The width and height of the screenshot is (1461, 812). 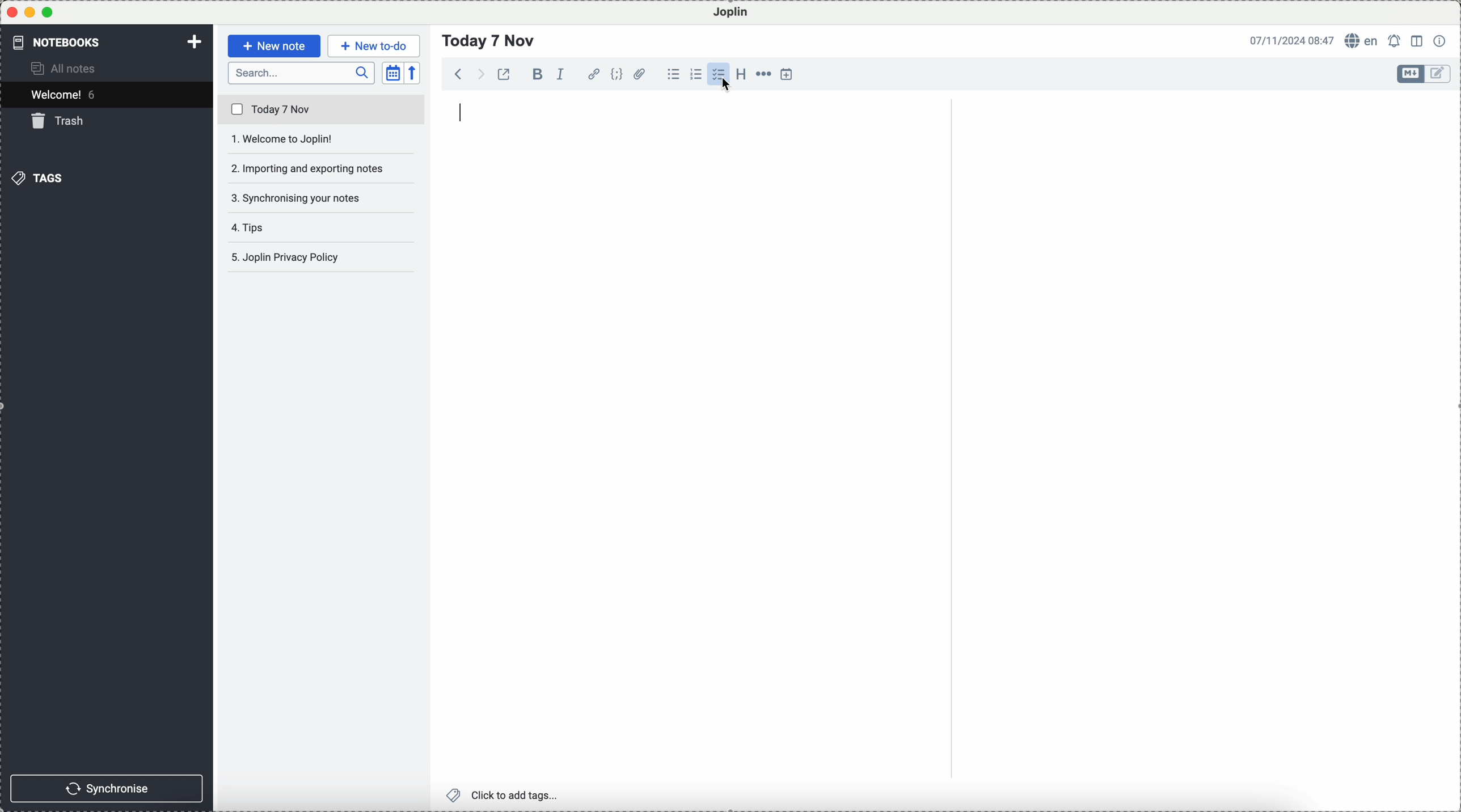 I want to click on reverse sort order, so click(x=413, y=73).